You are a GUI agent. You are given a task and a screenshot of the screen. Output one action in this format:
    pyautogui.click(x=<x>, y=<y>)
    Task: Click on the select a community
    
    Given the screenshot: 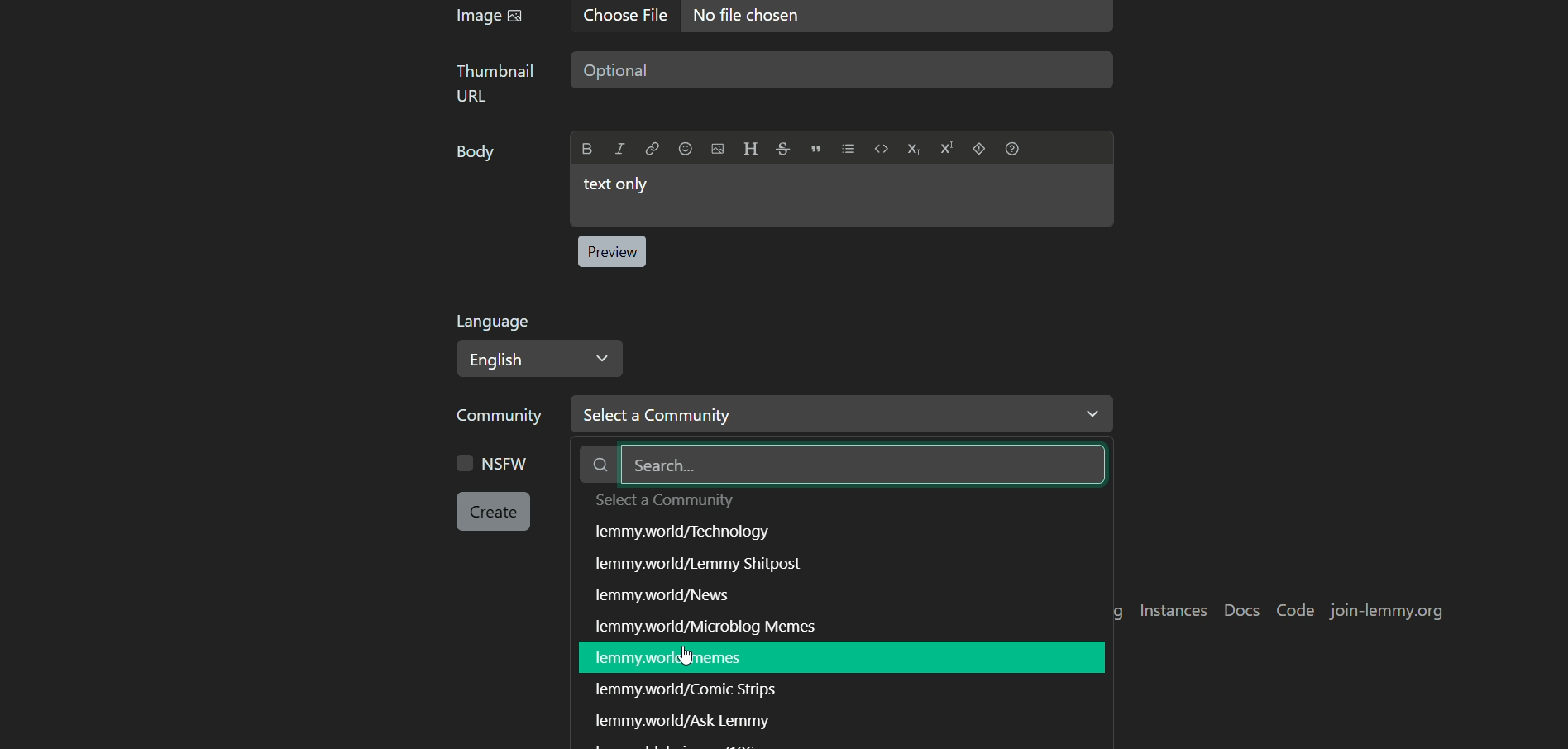 What is the action you would take?
    pyautogui.click(x=842, y=413)
    